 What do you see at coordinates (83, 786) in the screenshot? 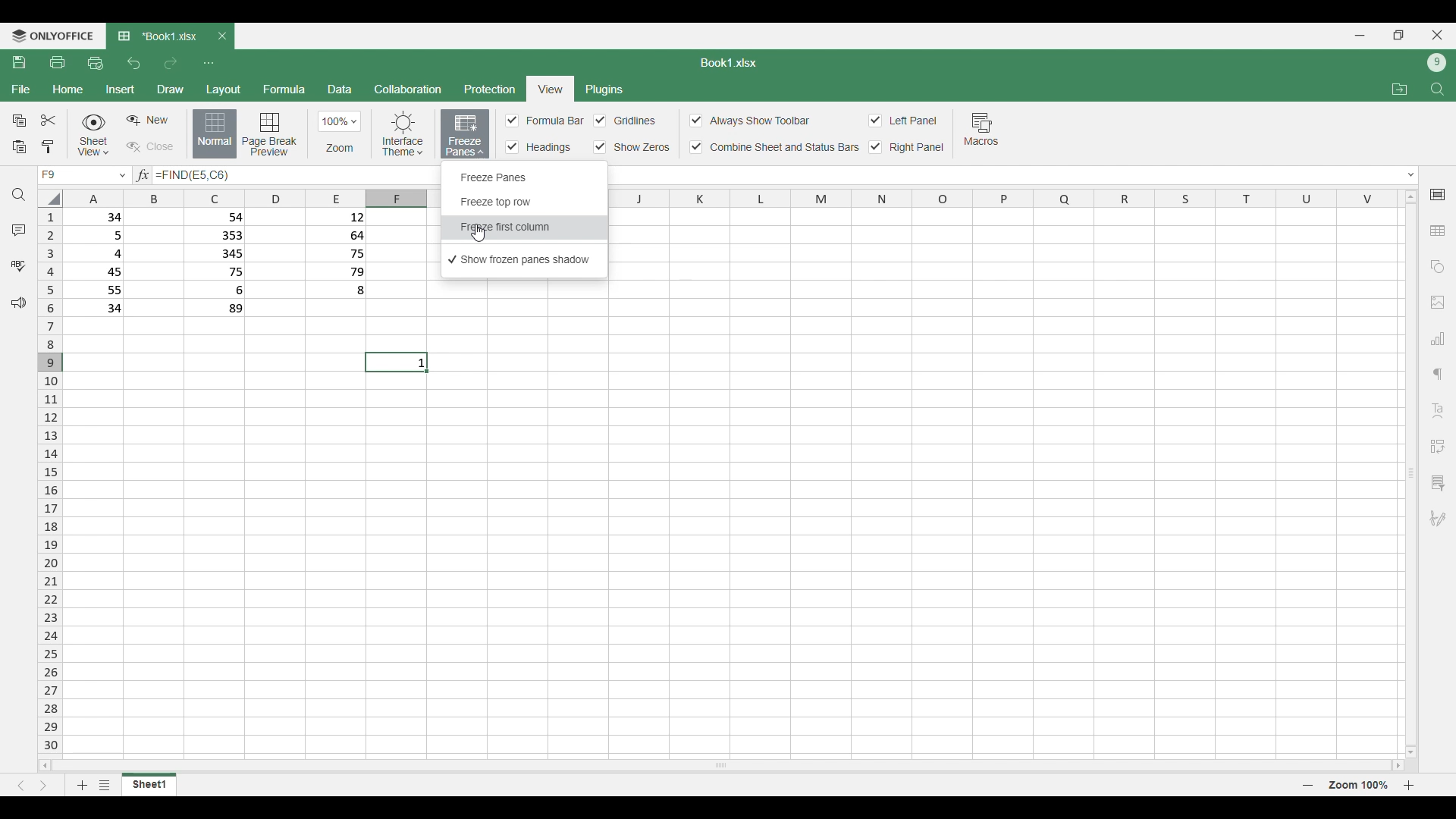
I see `Add sheet` at bounding box center [83, 786].